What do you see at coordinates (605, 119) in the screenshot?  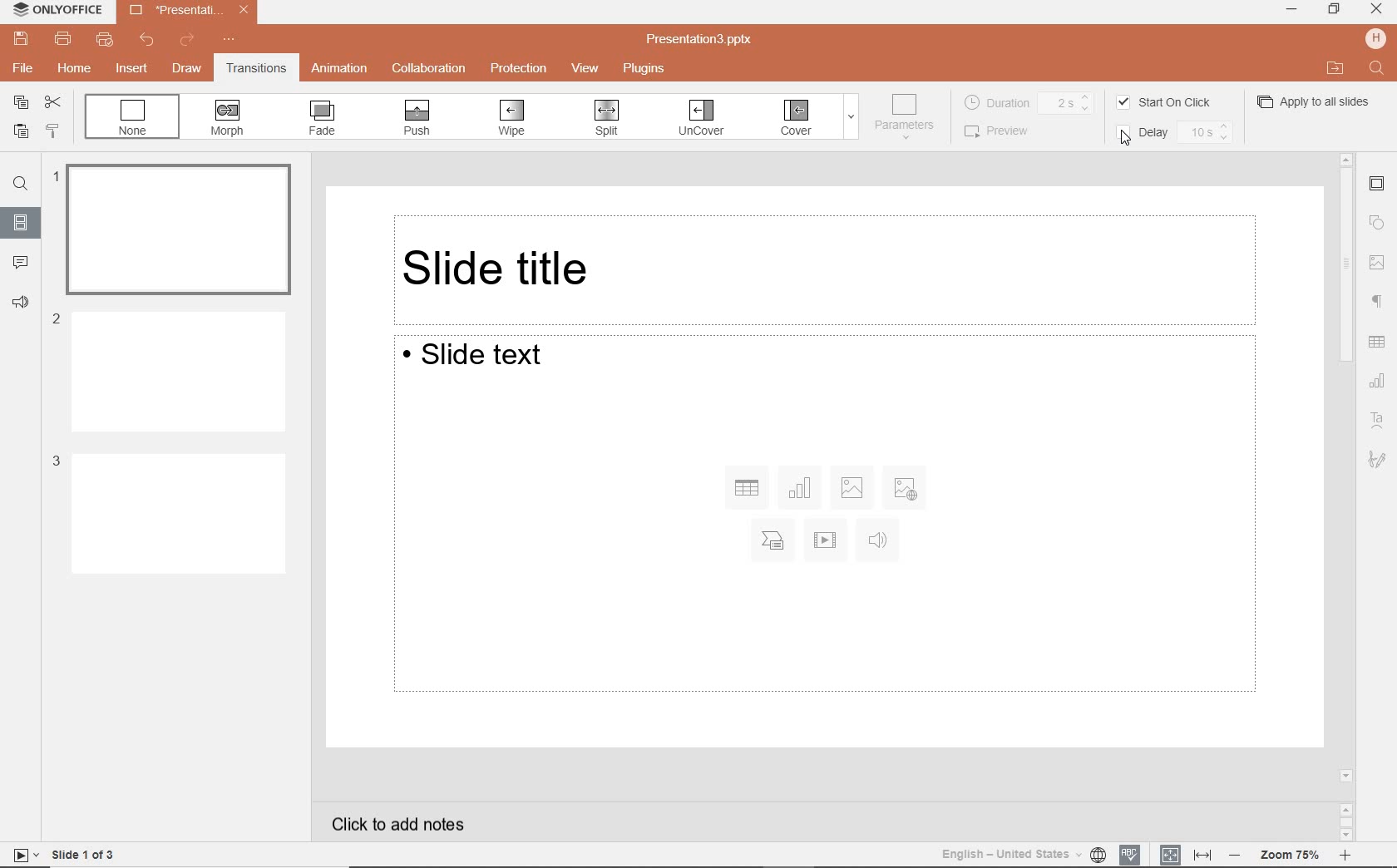 I see `SPLIT` at bounding box center [605, 119].